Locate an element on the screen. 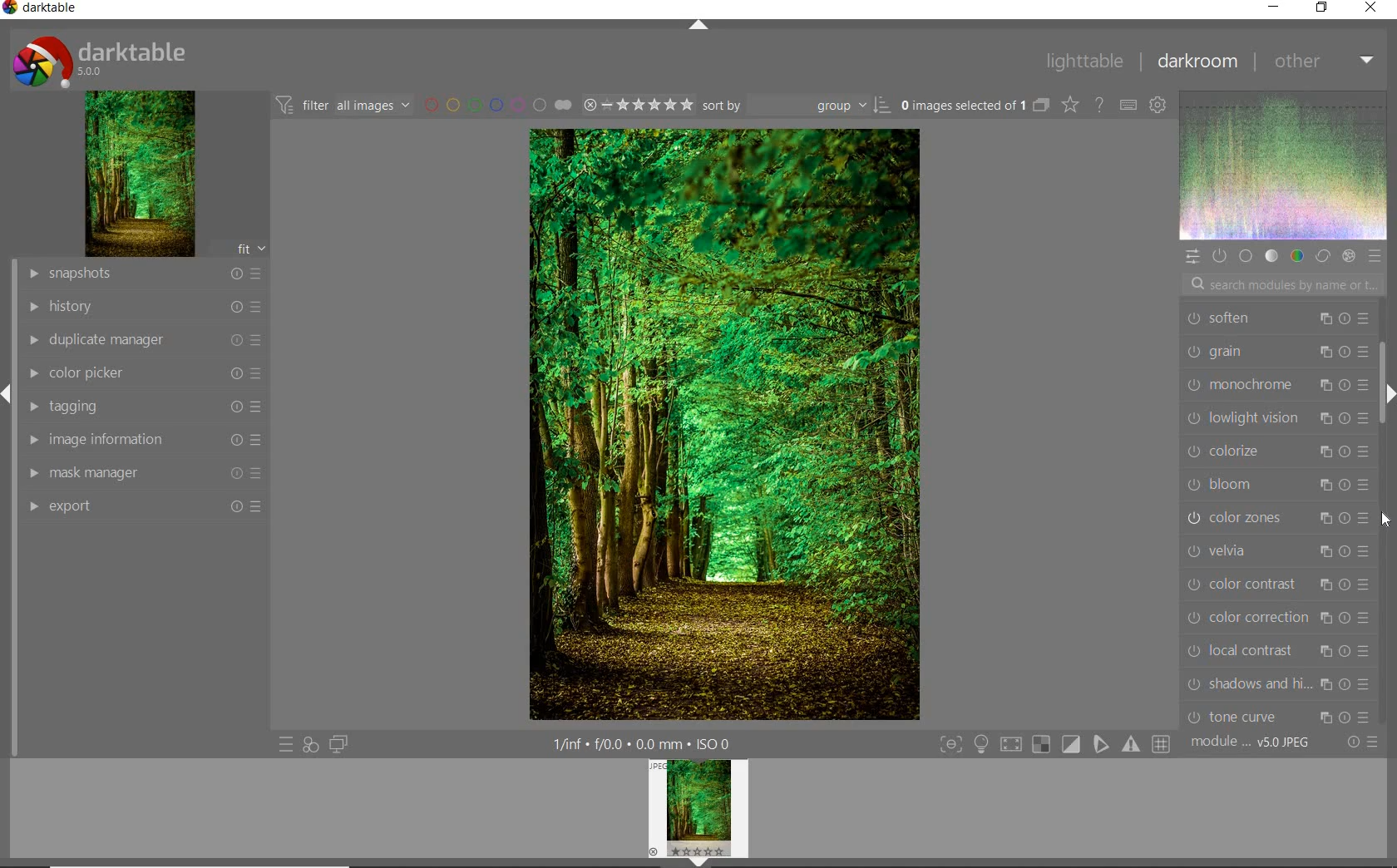  EXPAND/COLLAPSE is located at coordinates (1389, 396).